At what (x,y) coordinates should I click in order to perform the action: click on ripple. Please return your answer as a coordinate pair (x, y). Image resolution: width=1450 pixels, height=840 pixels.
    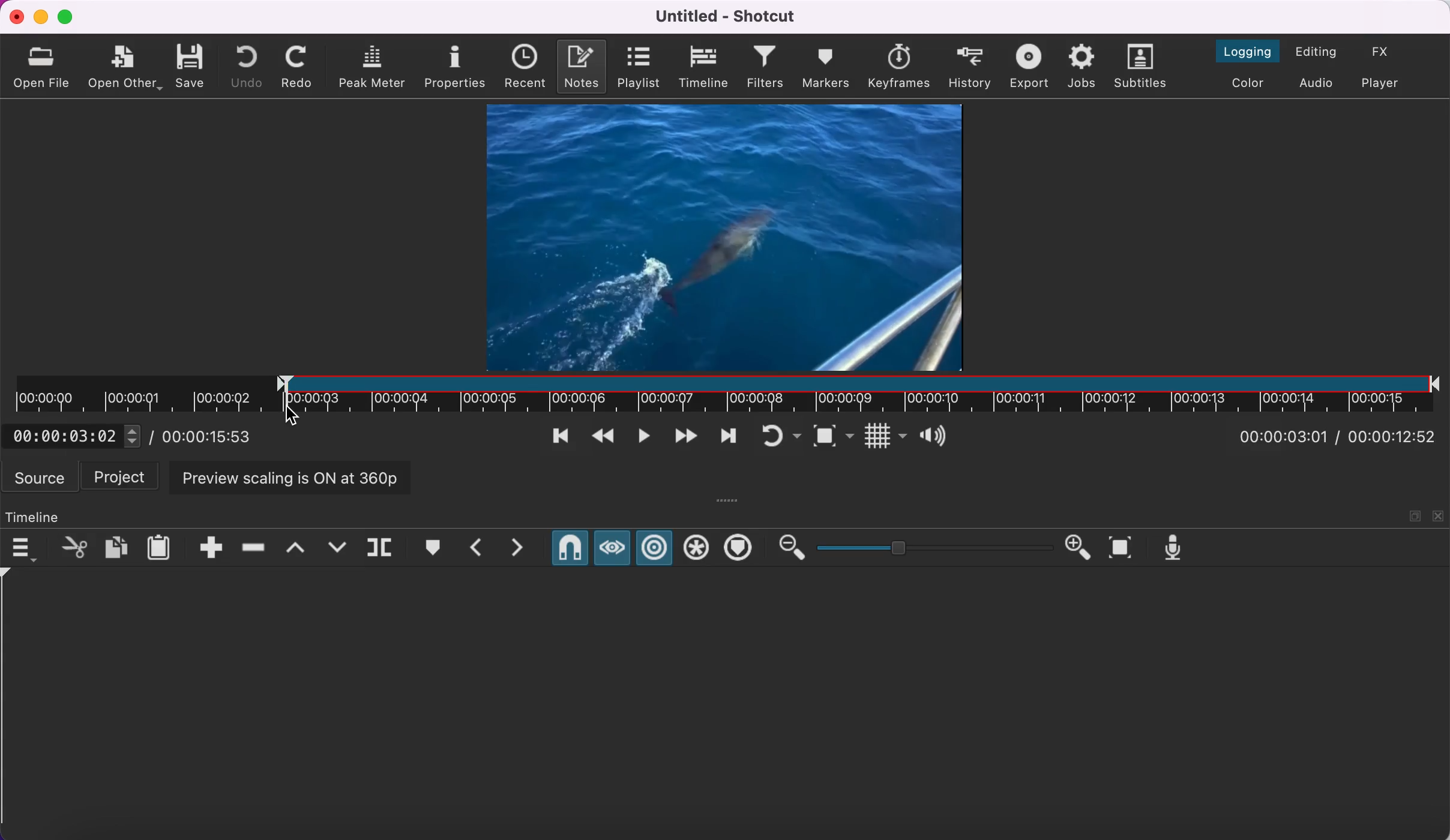
    Looking at the image, I should click on (655, 547).